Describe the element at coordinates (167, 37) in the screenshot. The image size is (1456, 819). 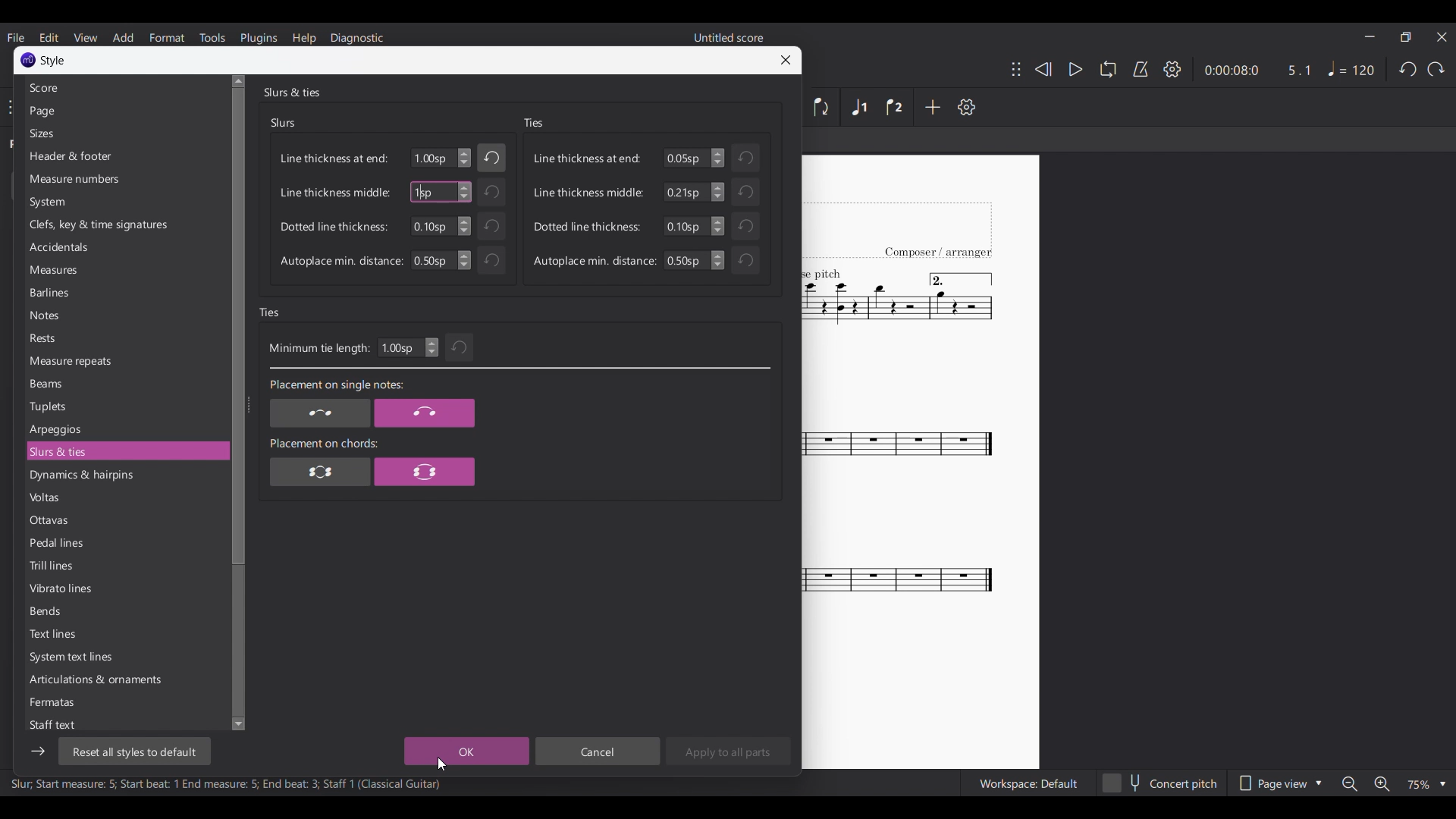
I see `Format menu` at that location.